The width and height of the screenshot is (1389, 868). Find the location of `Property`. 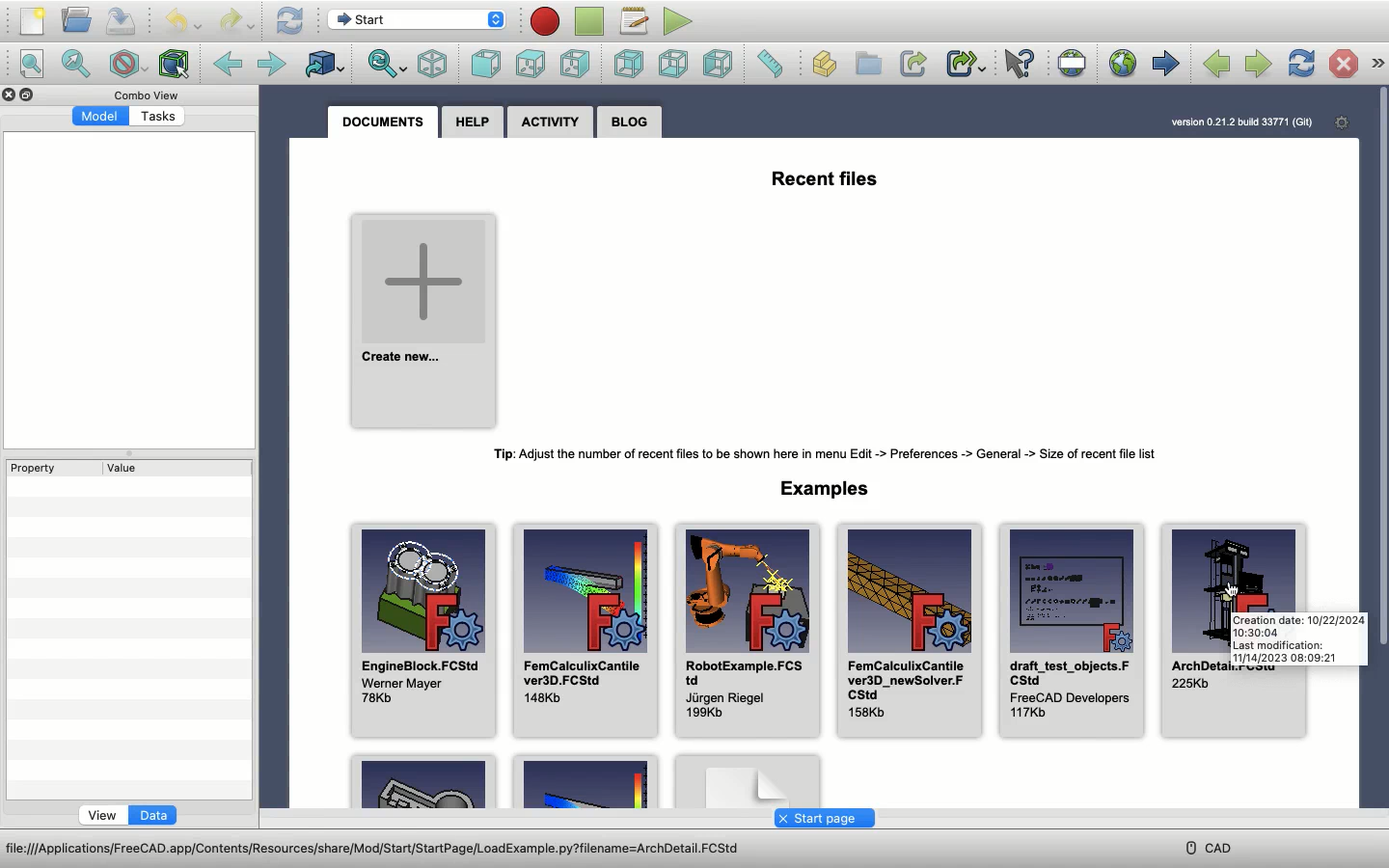

Property is located at coordinates (31, 469).